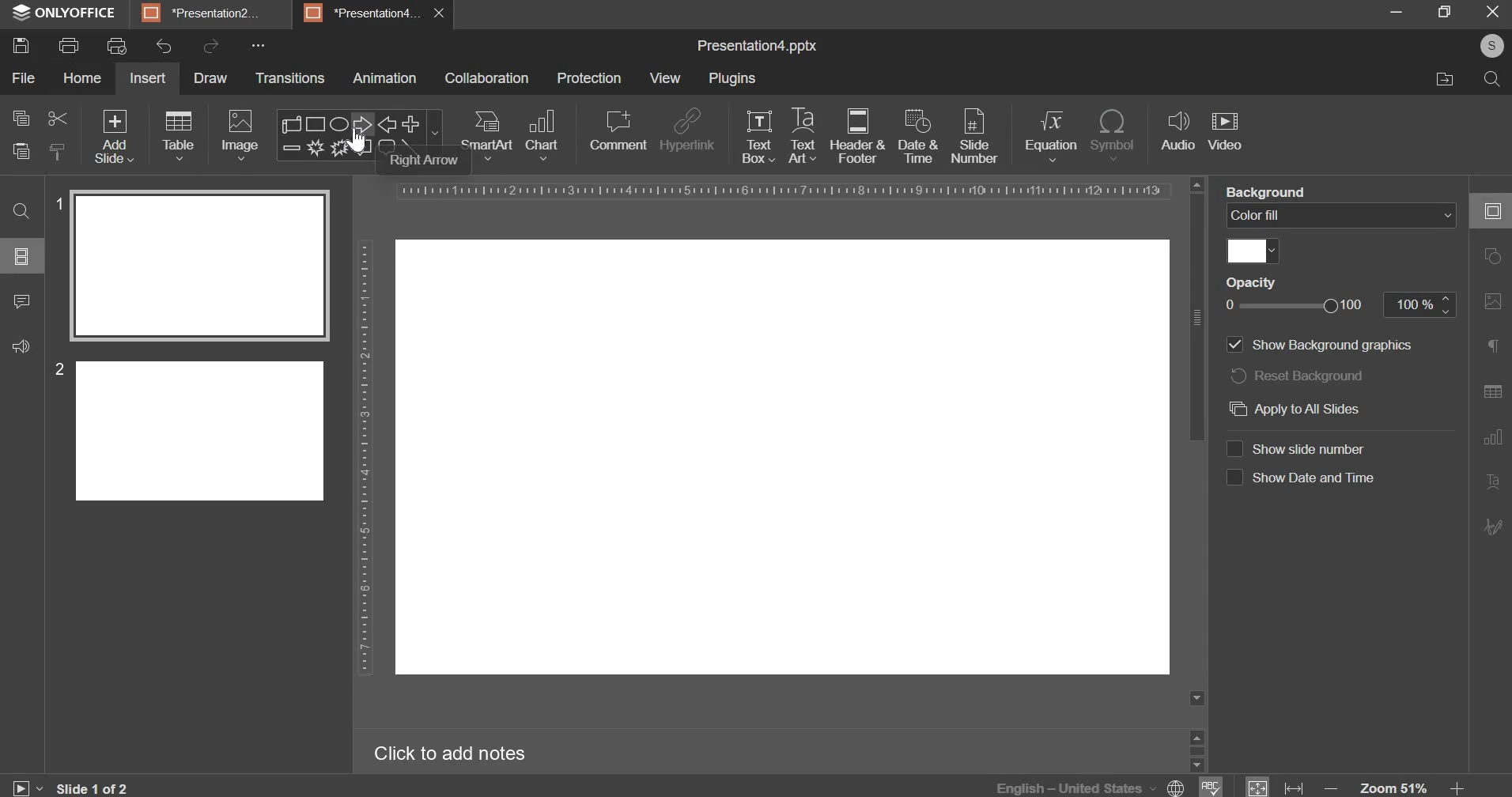 The width and height of the screenshot is (1512, 797). Describe the element at coordinates (1341, 304) in the screenshot. I see `opacity` at that location.